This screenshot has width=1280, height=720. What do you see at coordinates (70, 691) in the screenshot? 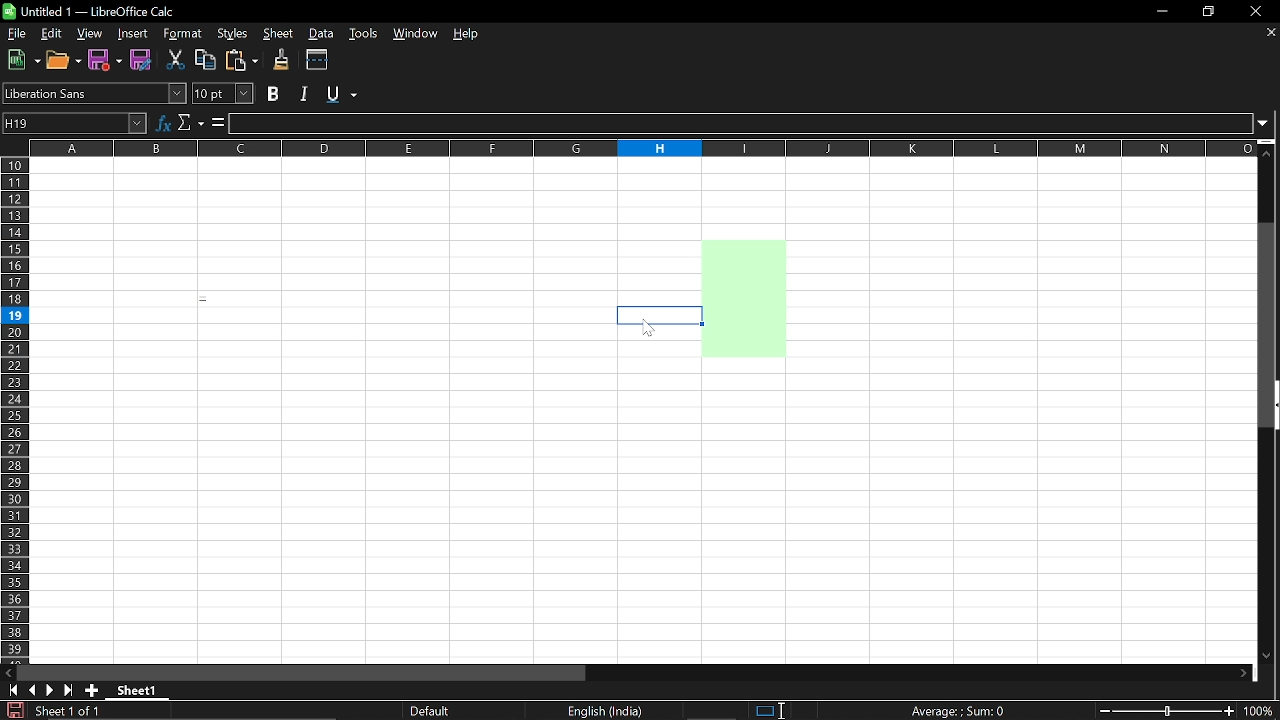
I see `Last oage` at bounding box center [70, 691].